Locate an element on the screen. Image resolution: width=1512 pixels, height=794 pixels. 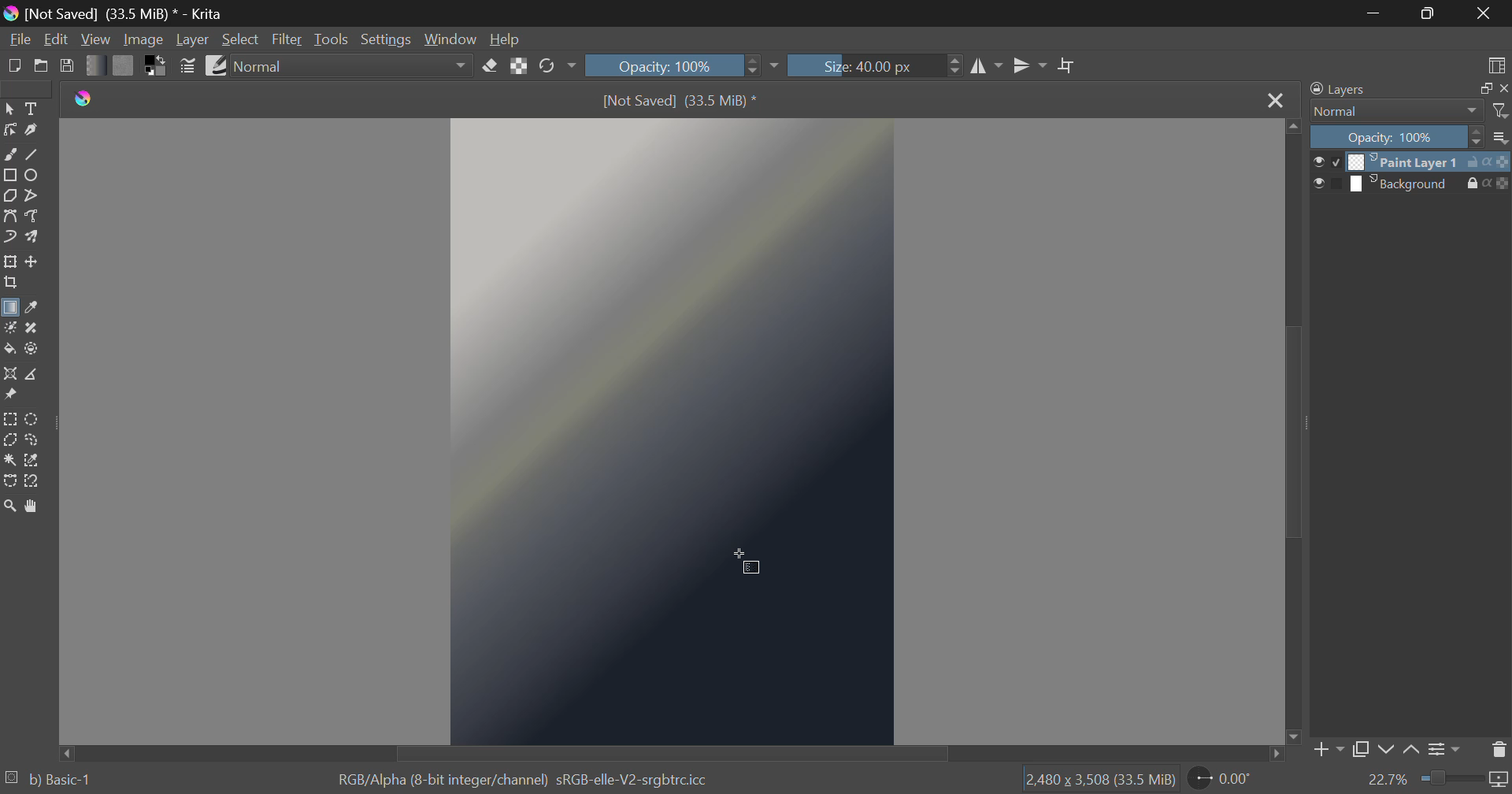
New is located at coordinates (13, 64).